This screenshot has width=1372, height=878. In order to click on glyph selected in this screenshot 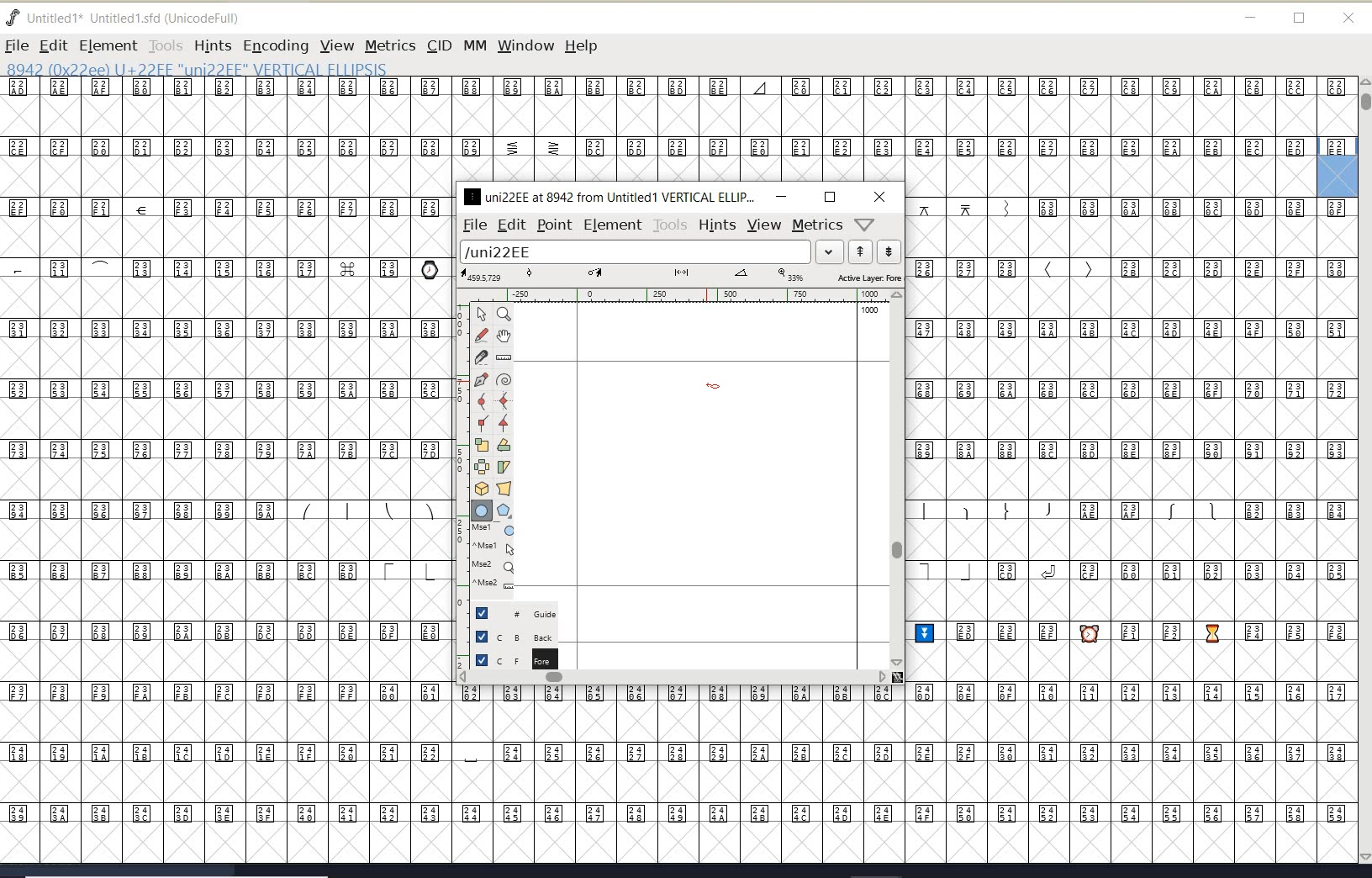, I will do `click(1338, 167)`.